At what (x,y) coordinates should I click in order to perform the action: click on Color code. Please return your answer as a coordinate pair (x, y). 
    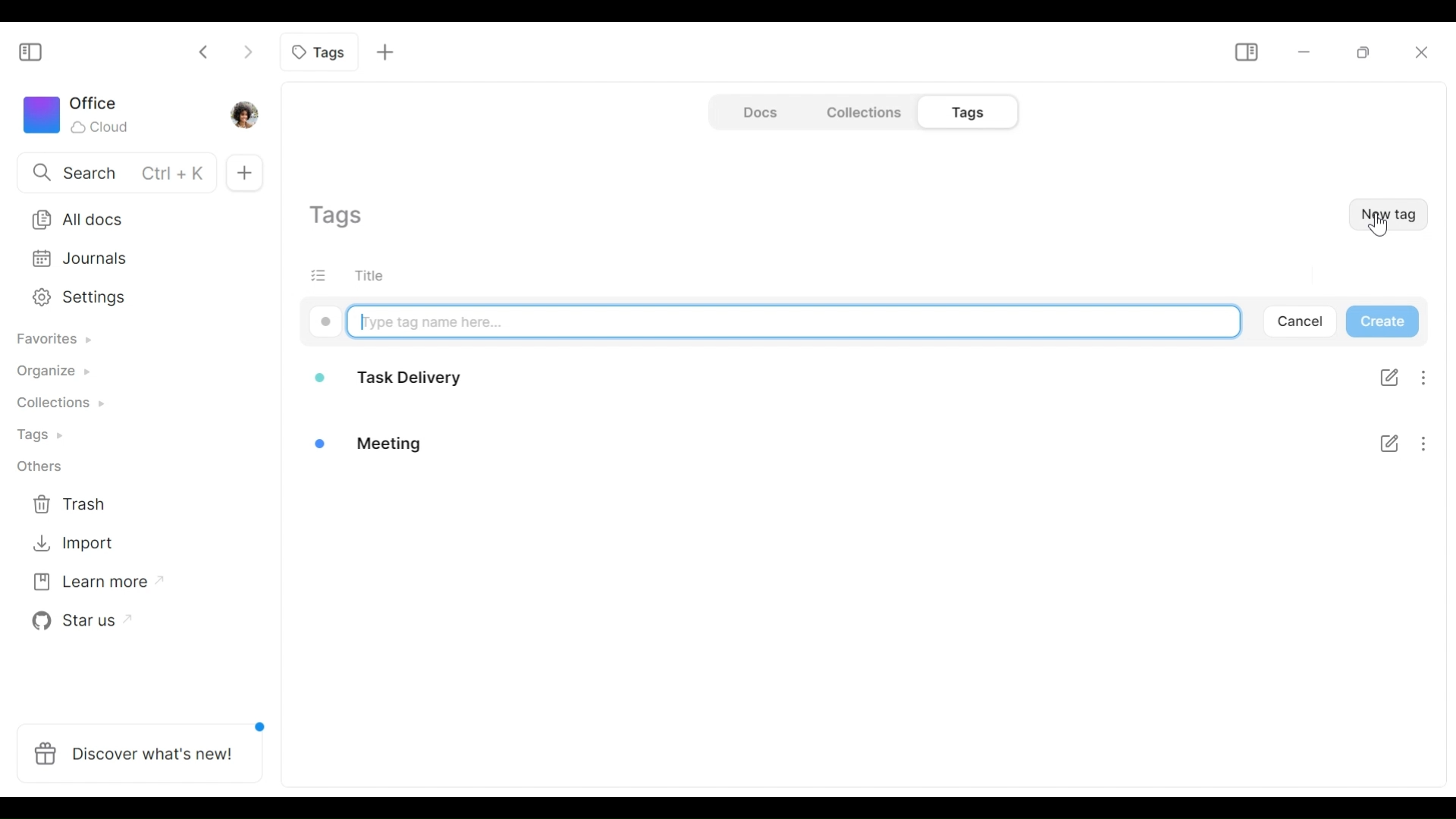
    Looking at the image, I should click on (325, 321).